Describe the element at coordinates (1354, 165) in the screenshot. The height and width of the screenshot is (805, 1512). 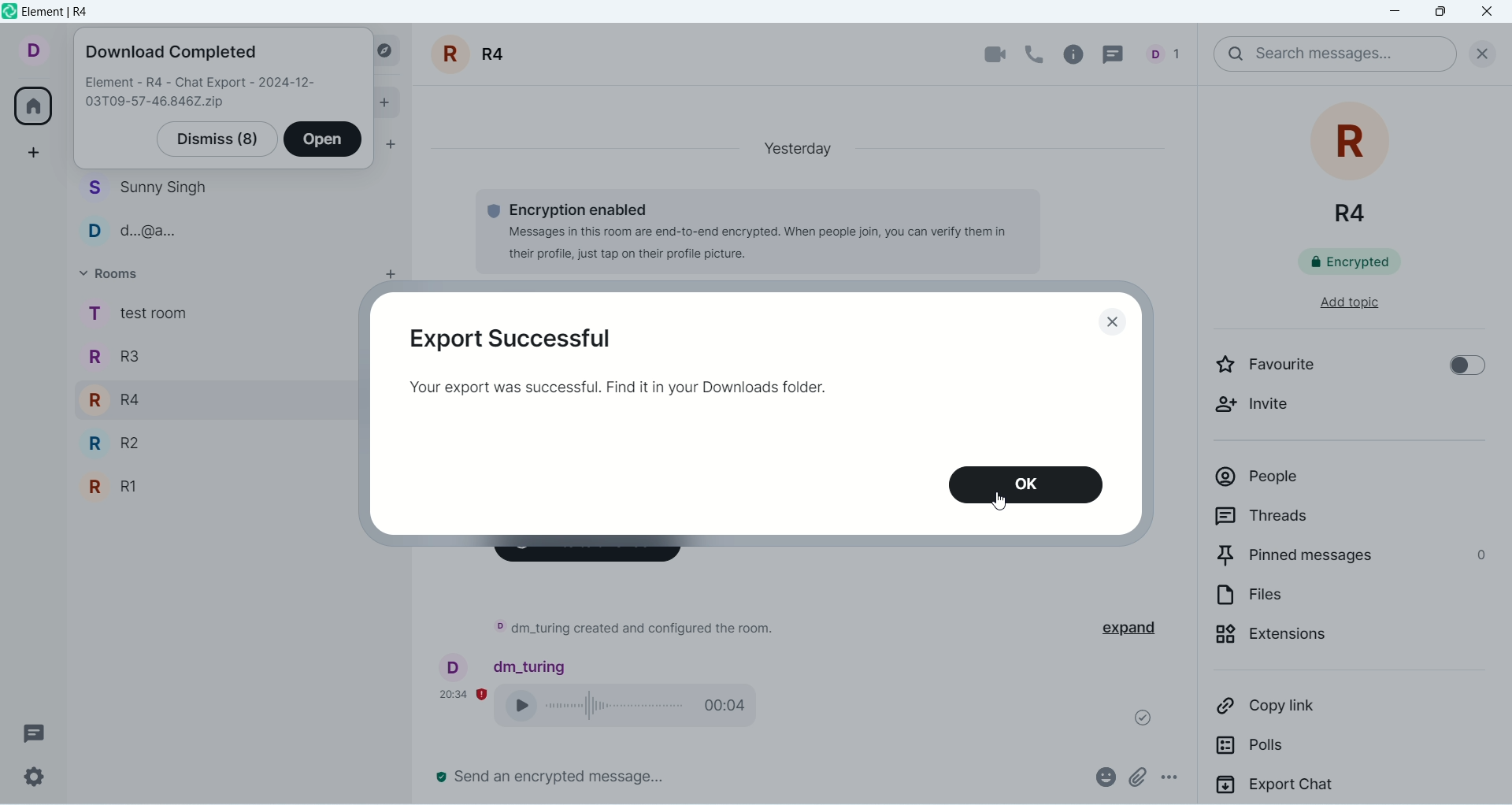
I see `room` at that location.